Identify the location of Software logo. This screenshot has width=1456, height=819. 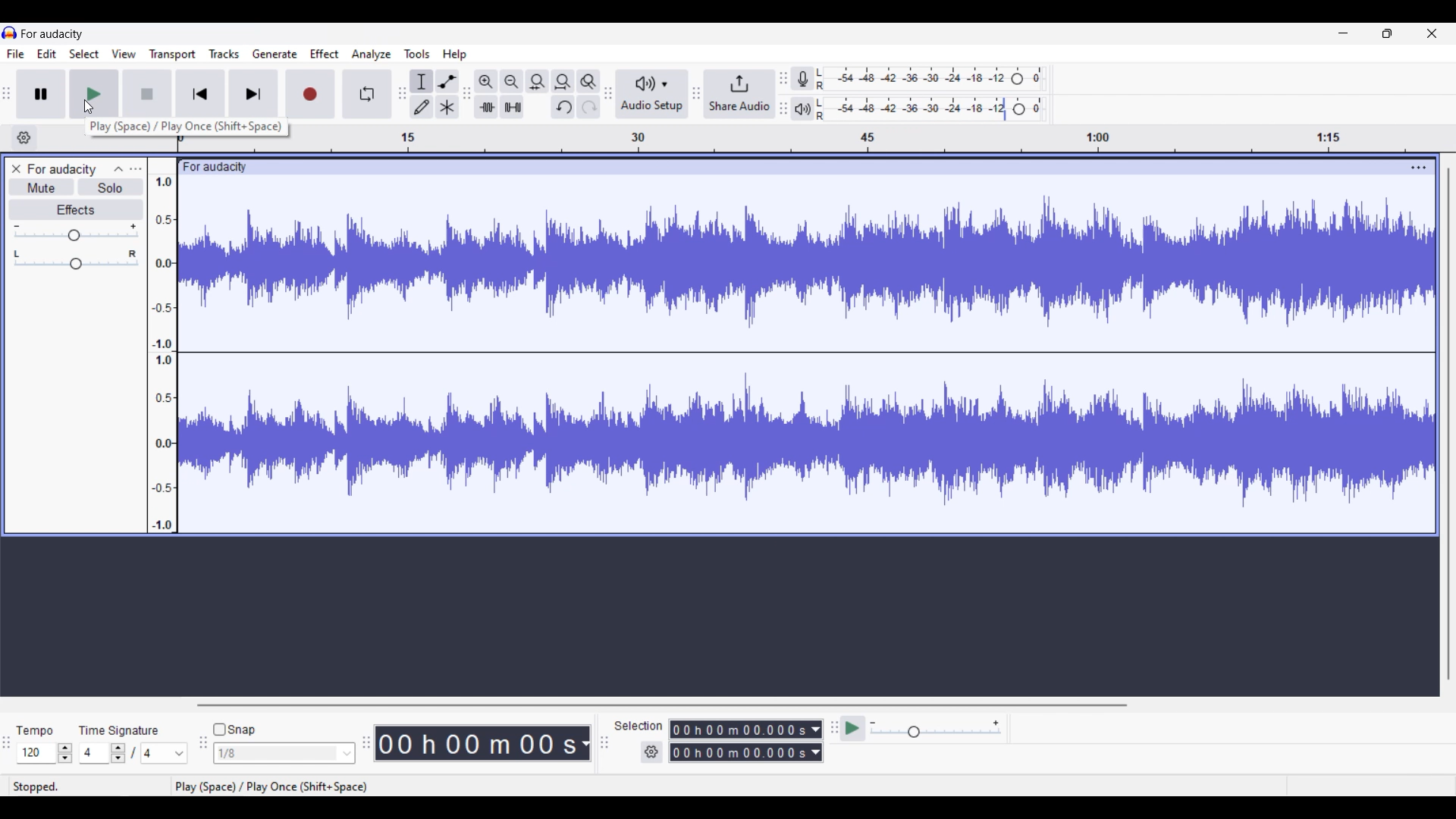
(10, 33).